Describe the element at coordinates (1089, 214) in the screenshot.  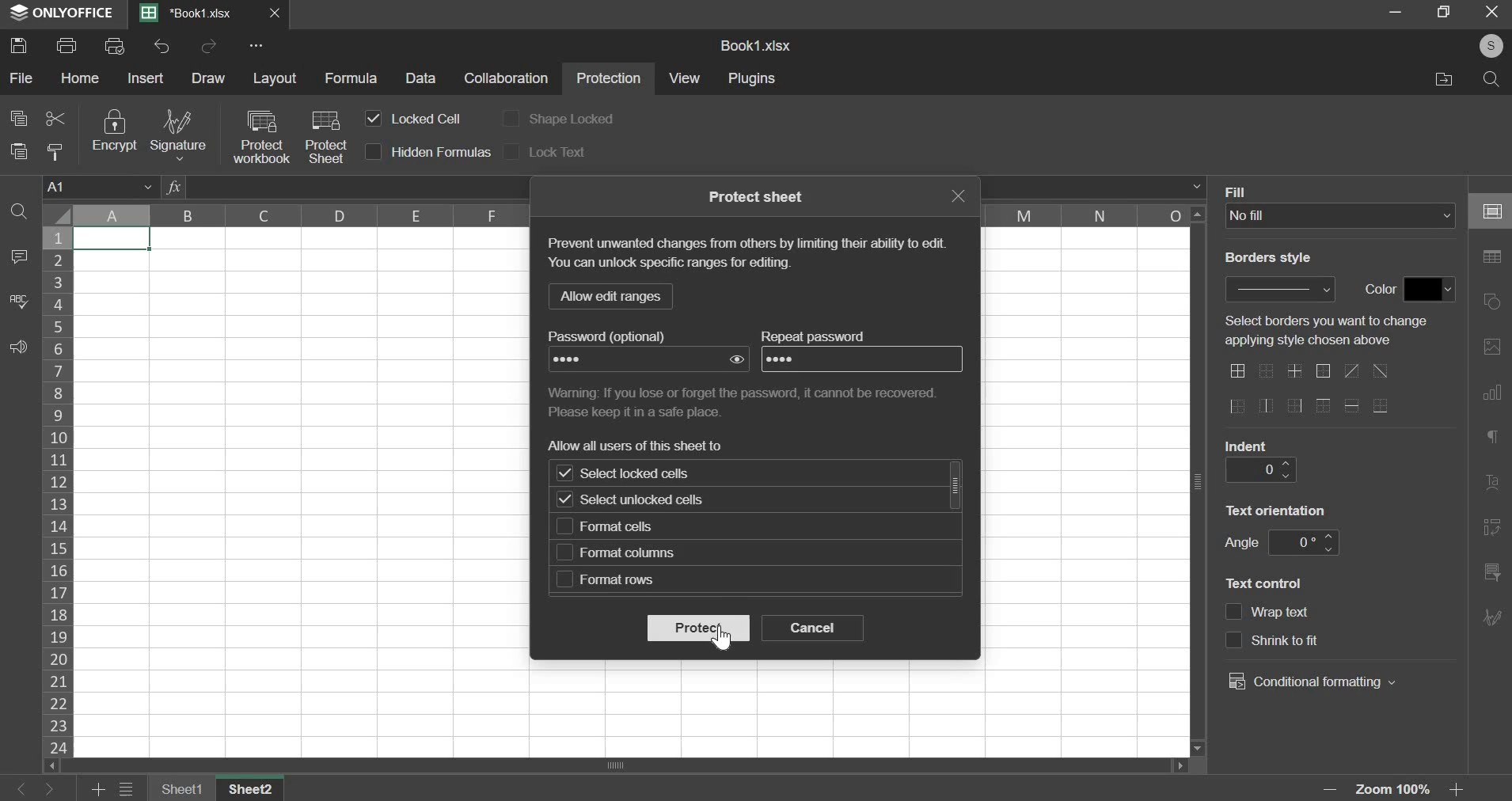
I see `column` at that location.